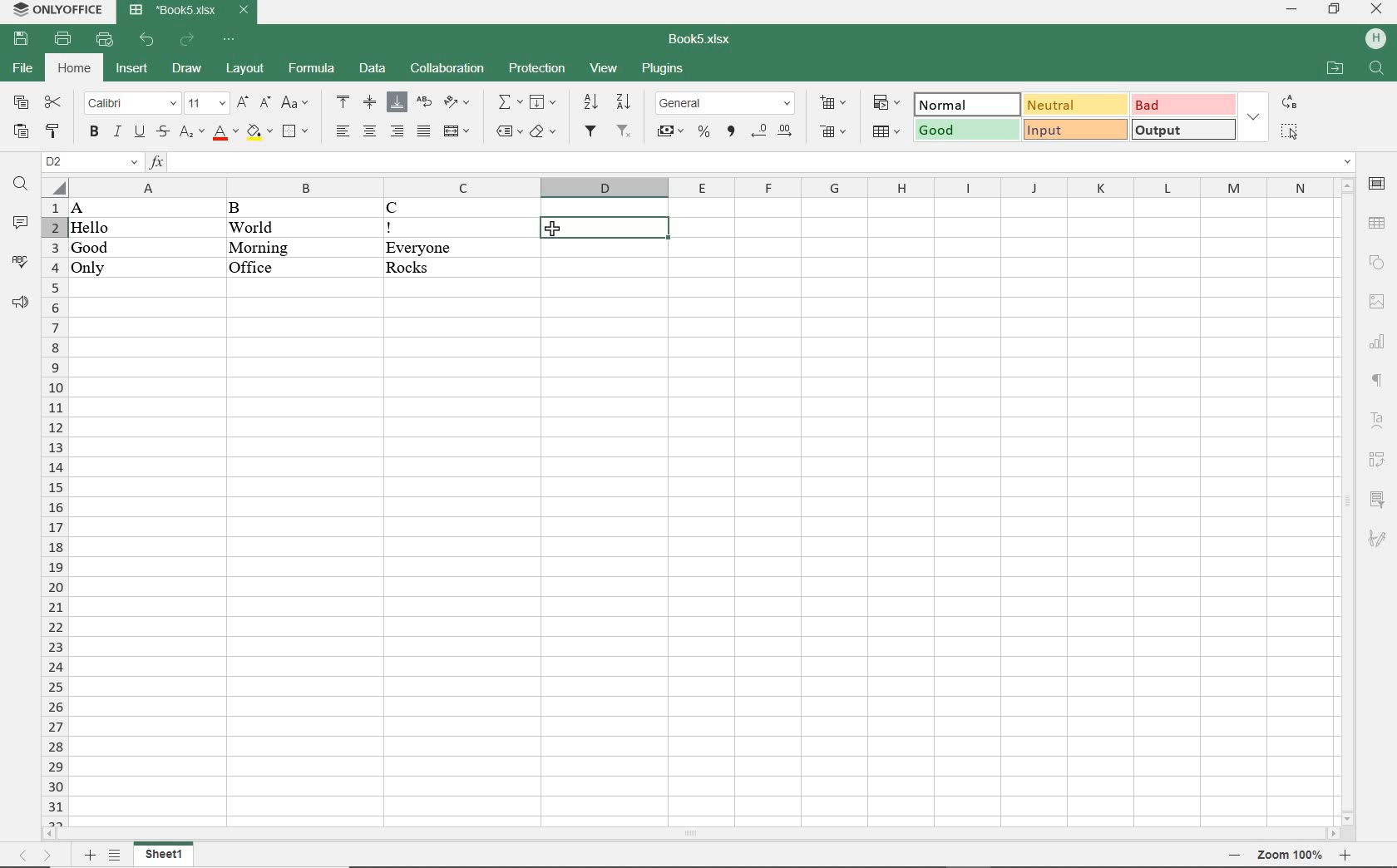  Describe the element at coordinates (116, 856) in the screenshot. I see `list sheets` at that location.